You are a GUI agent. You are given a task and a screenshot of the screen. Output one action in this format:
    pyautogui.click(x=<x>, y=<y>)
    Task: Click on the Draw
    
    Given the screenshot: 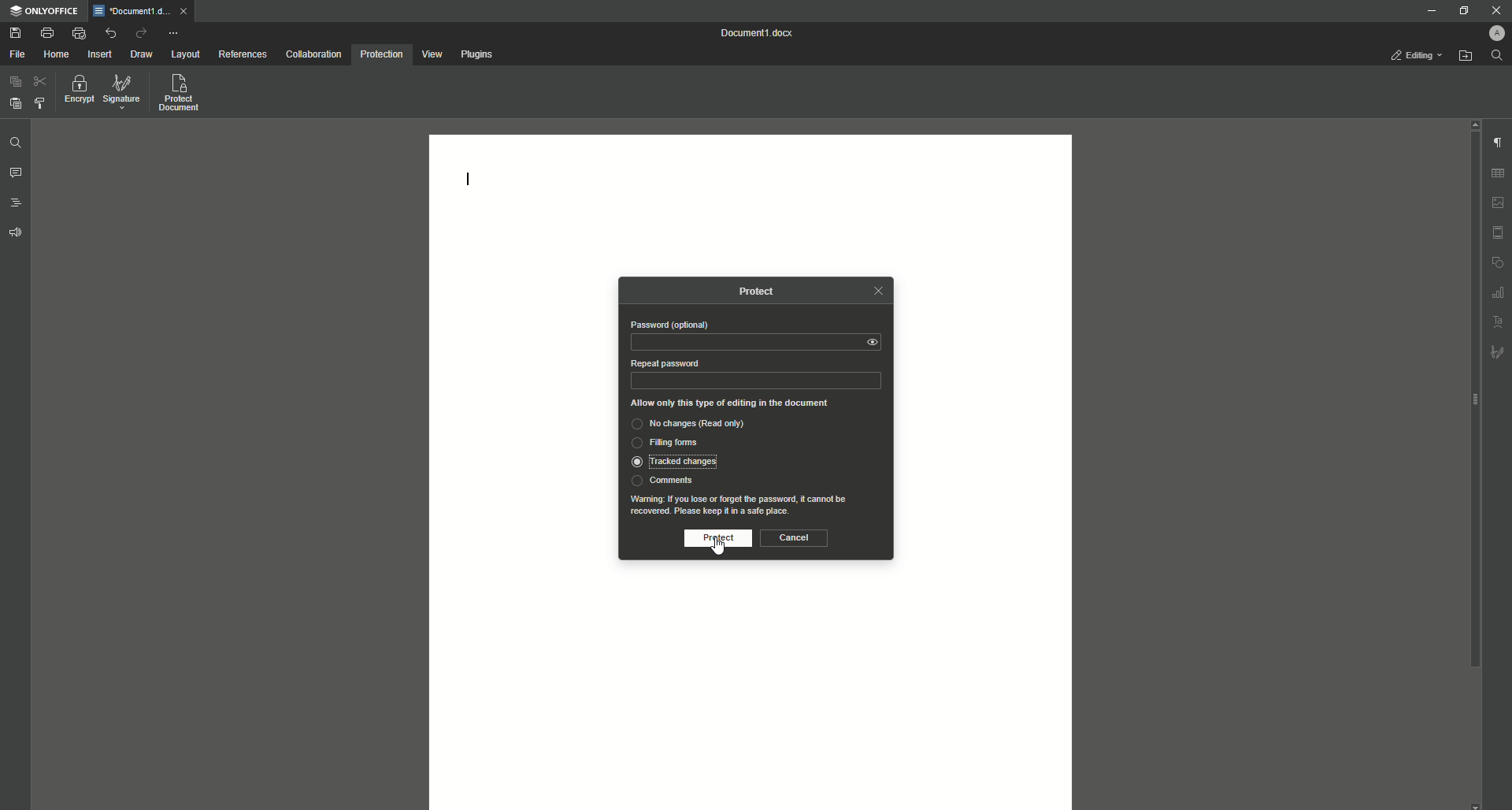 What is the action you would take?
    pyautogui.click(x=143, y=54)
    